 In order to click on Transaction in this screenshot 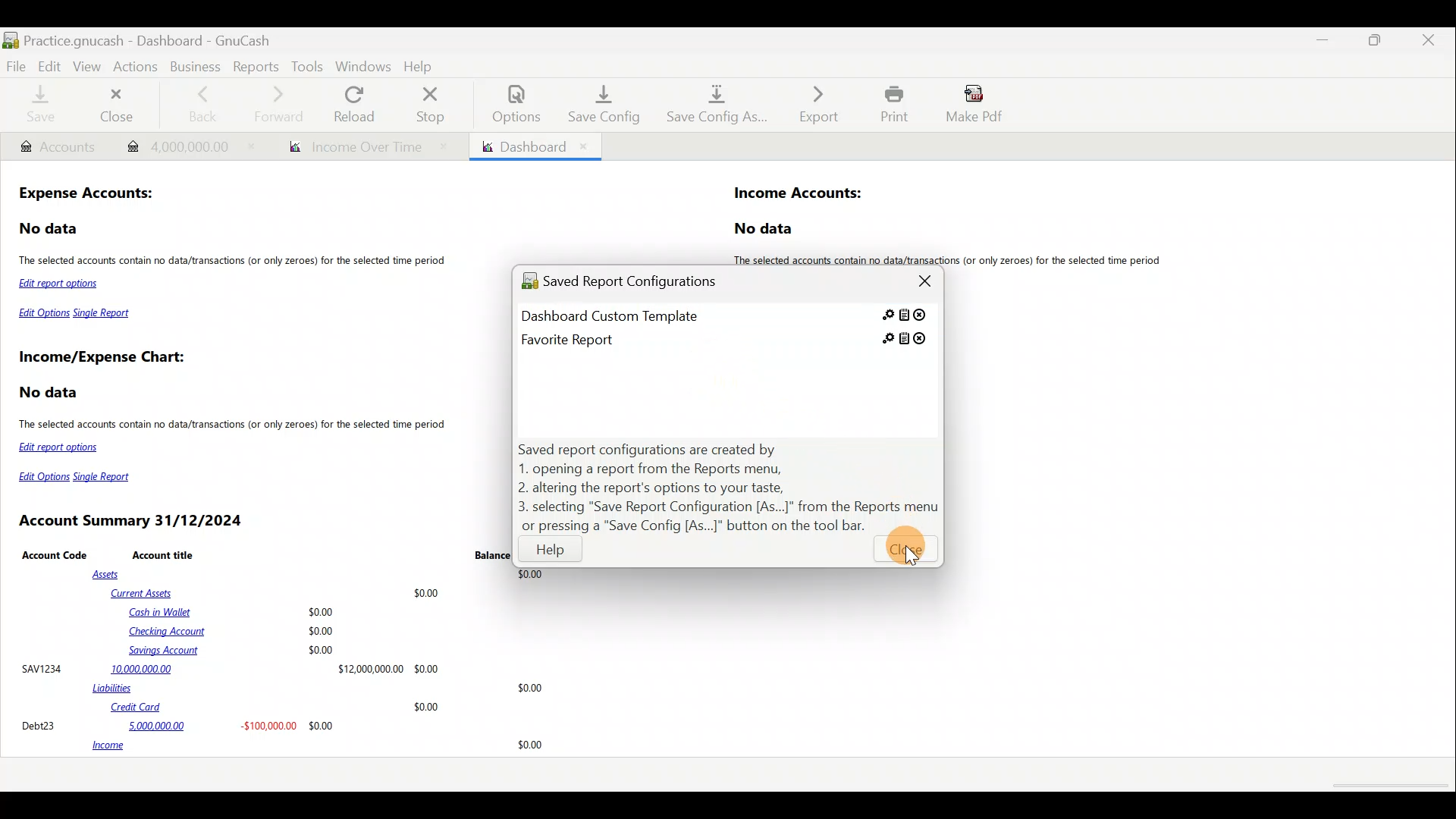, I will do `click(184, 145)`.